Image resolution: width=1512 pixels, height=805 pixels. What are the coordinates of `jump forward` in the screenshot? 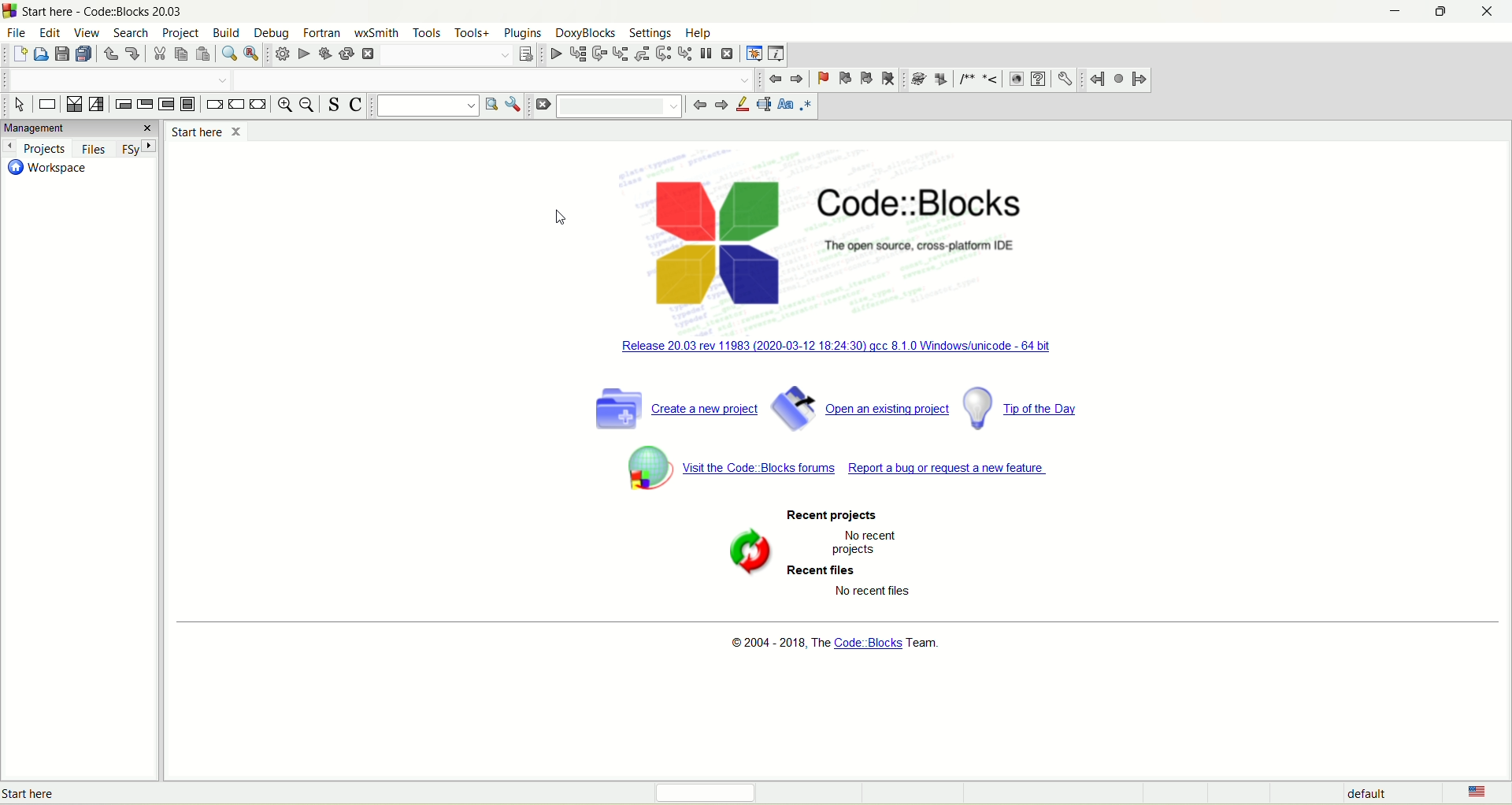 It's located at (796, 80).